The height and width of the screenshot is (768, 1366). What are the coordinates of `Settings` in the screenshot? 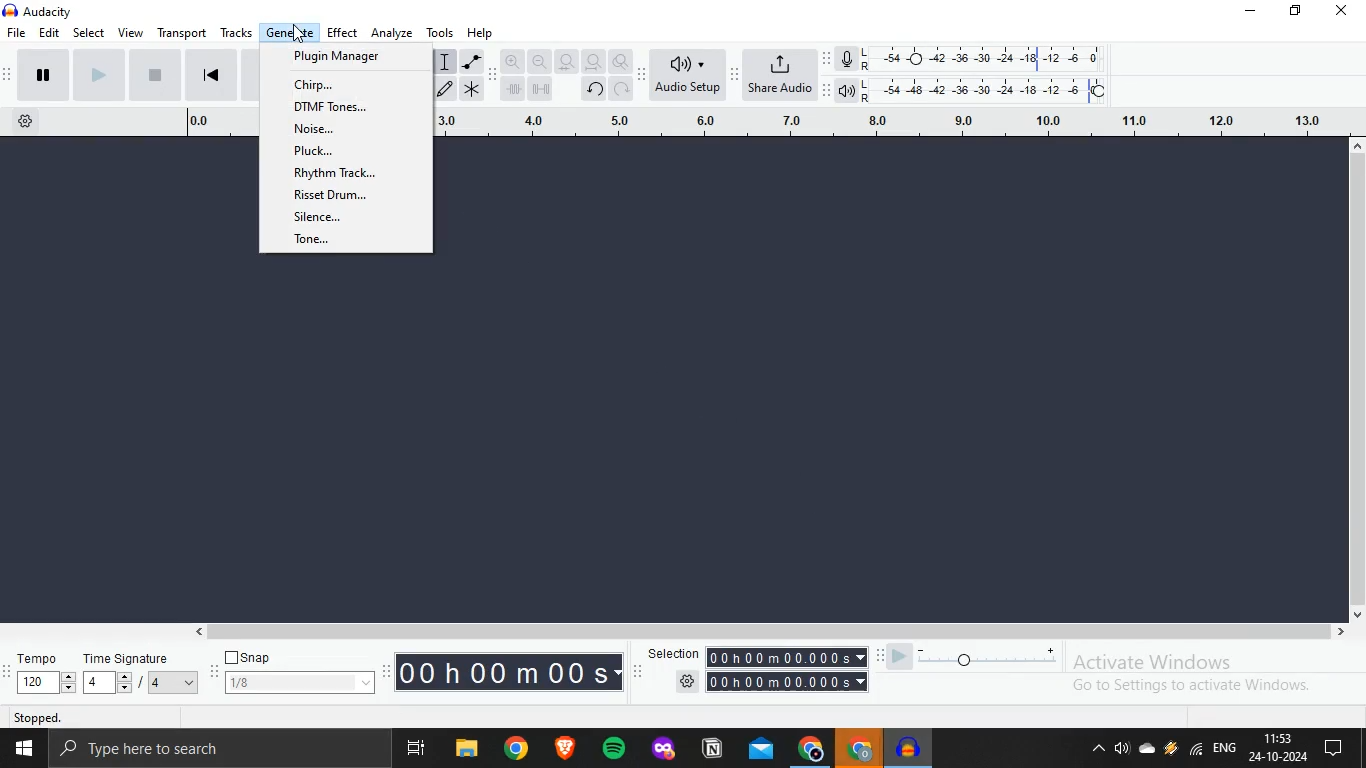 It's located at (22, 123).